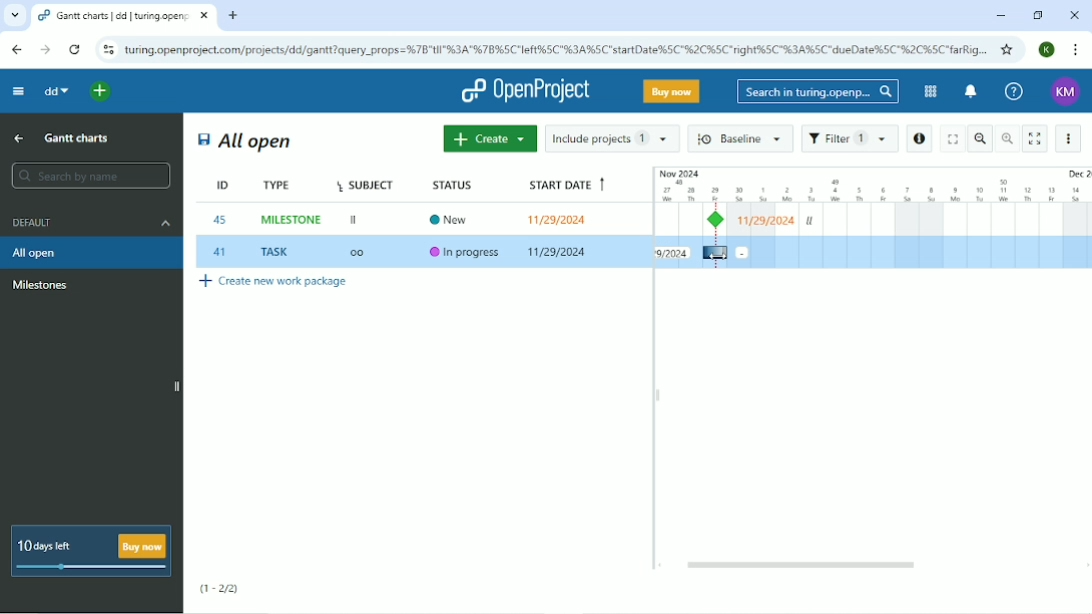 The image size is (1092, 614). Describe the element at coordinates (981, 138) in the screenshot. I see `Zoom out` at that location.